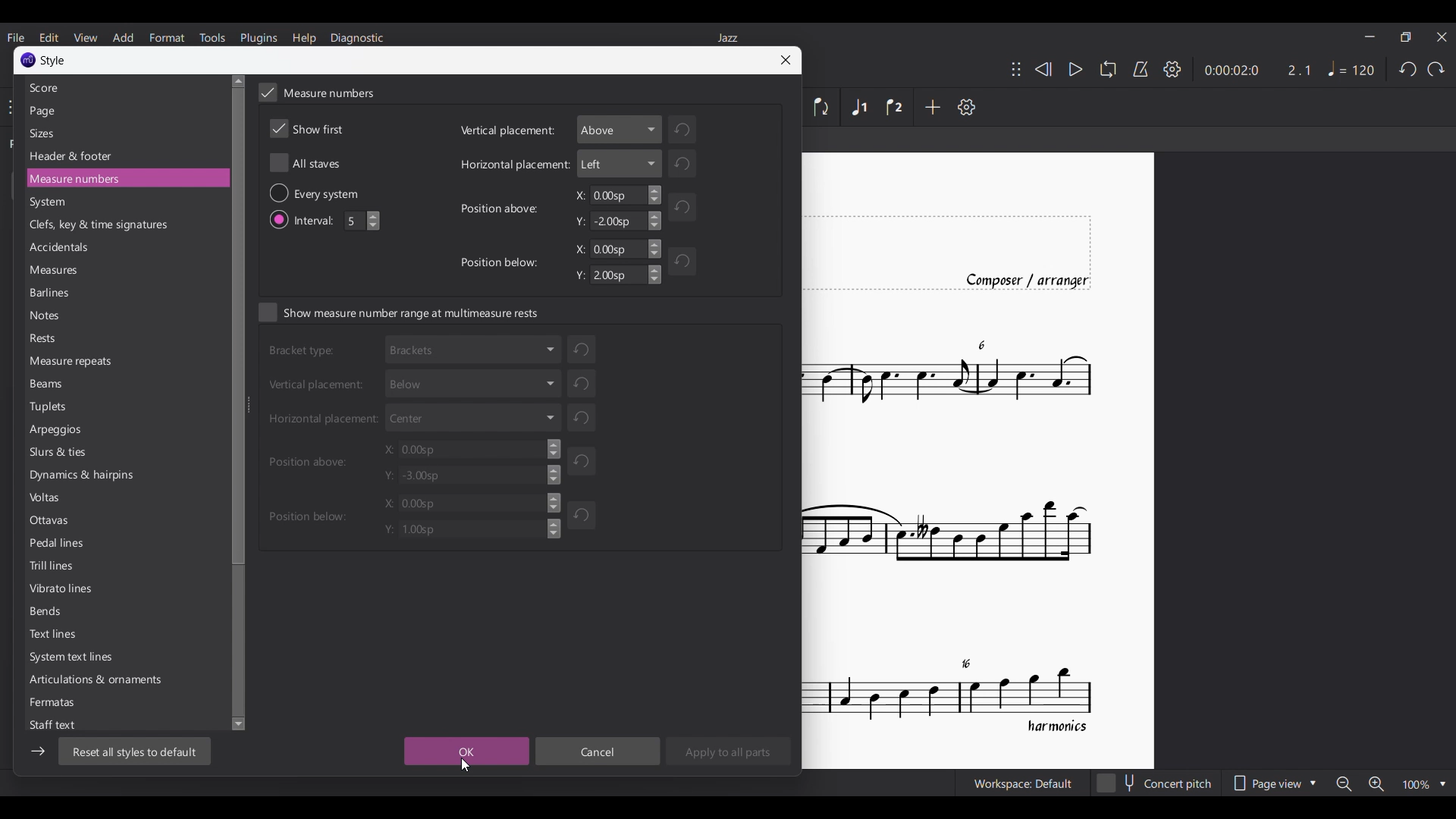 The image size is (1456, 819). I want to click on Undo changes made to each, so click(582, 346).